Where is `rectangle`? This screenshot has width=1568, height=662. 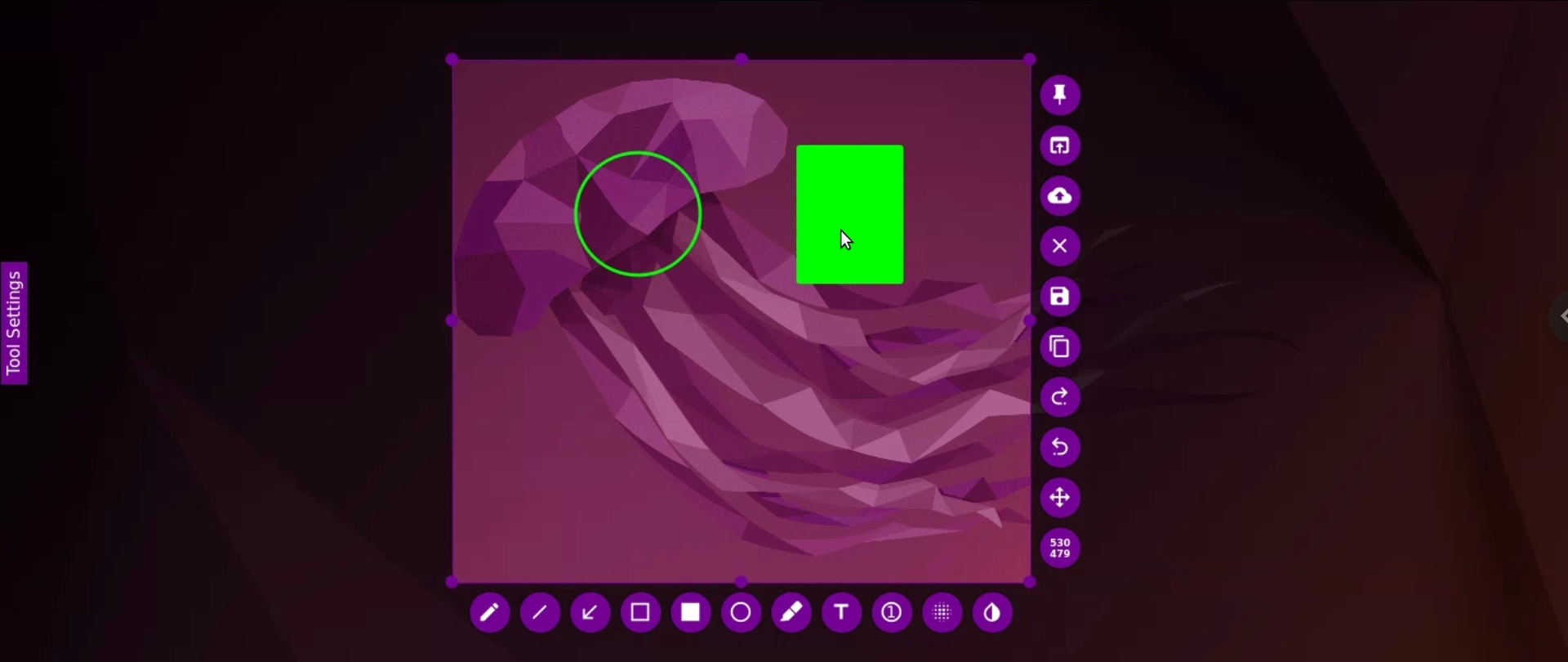
rectangle is located at coordinates (689, 611).